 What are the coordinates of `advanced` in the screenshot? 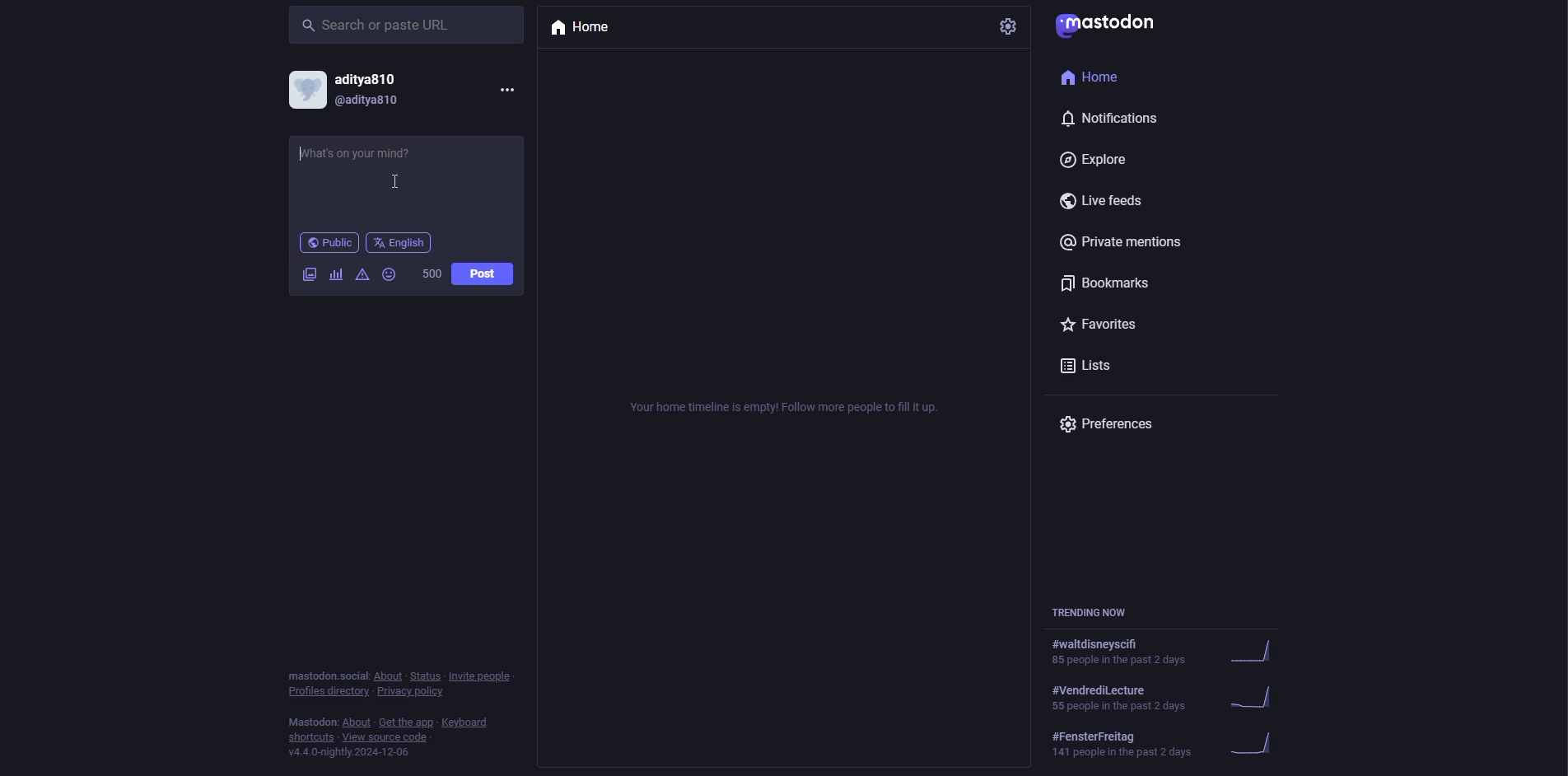 It's located at (362, 276).